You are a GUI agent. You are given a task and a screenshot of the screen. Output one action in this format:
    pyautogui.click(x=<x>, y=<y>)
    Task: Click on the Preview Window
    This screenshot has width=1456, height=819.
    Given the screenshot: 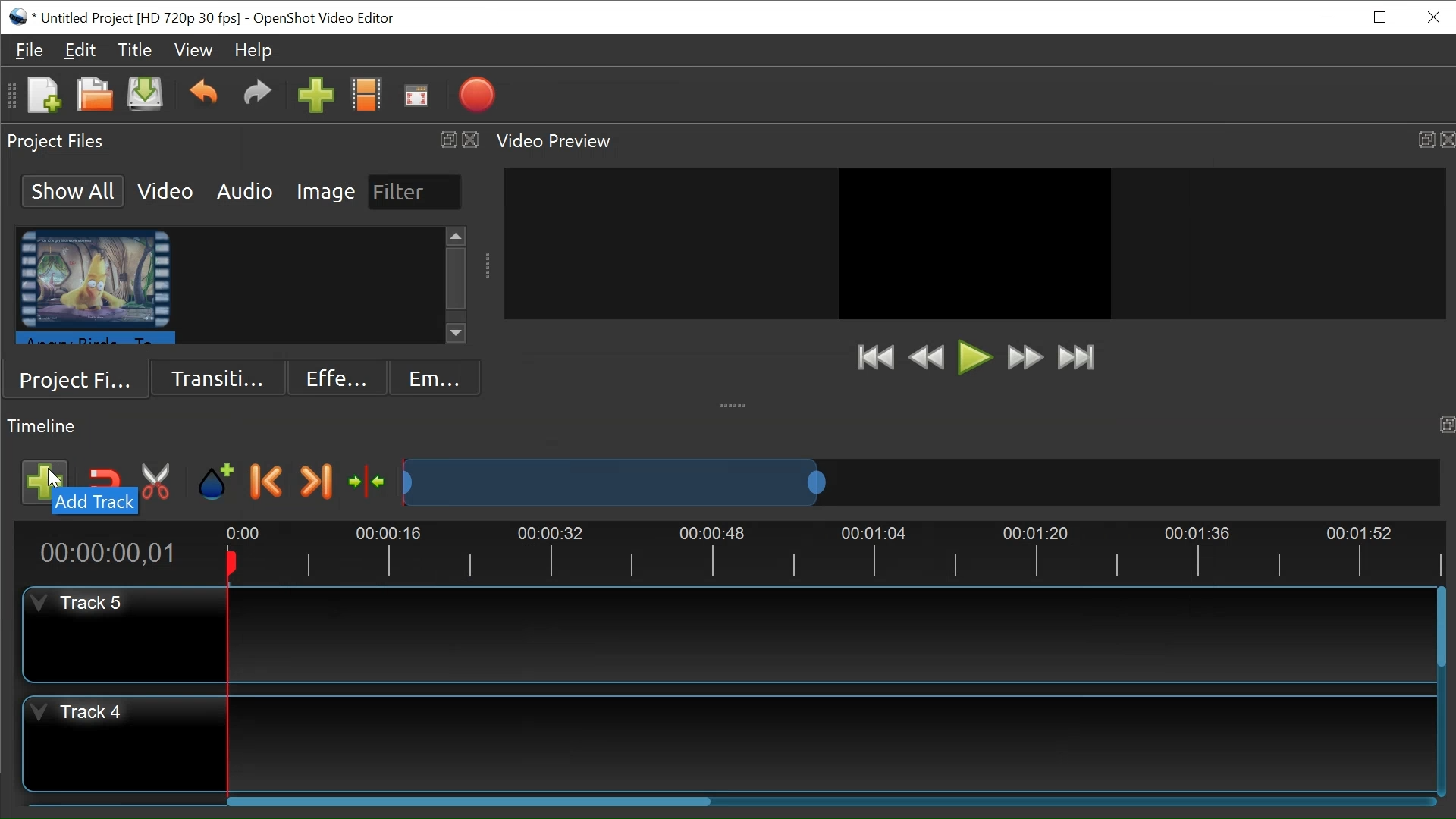 What is the action you would take?
    pyautogui.click(x=974, y=244)
    